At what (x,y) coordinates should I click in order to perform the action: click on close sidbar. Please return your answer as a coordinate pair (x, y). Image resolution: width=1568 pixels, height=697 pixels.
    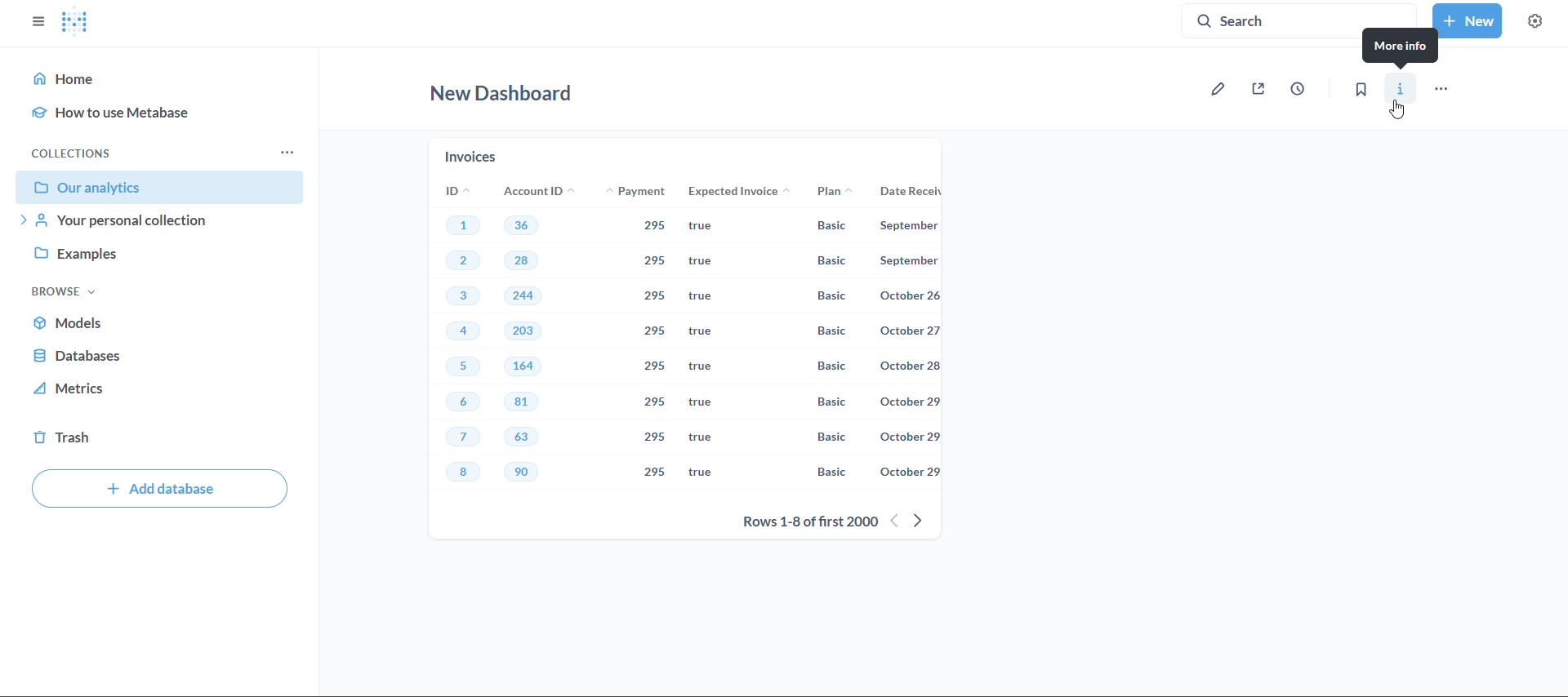
    Looking at the image, I should click on (36, 22).